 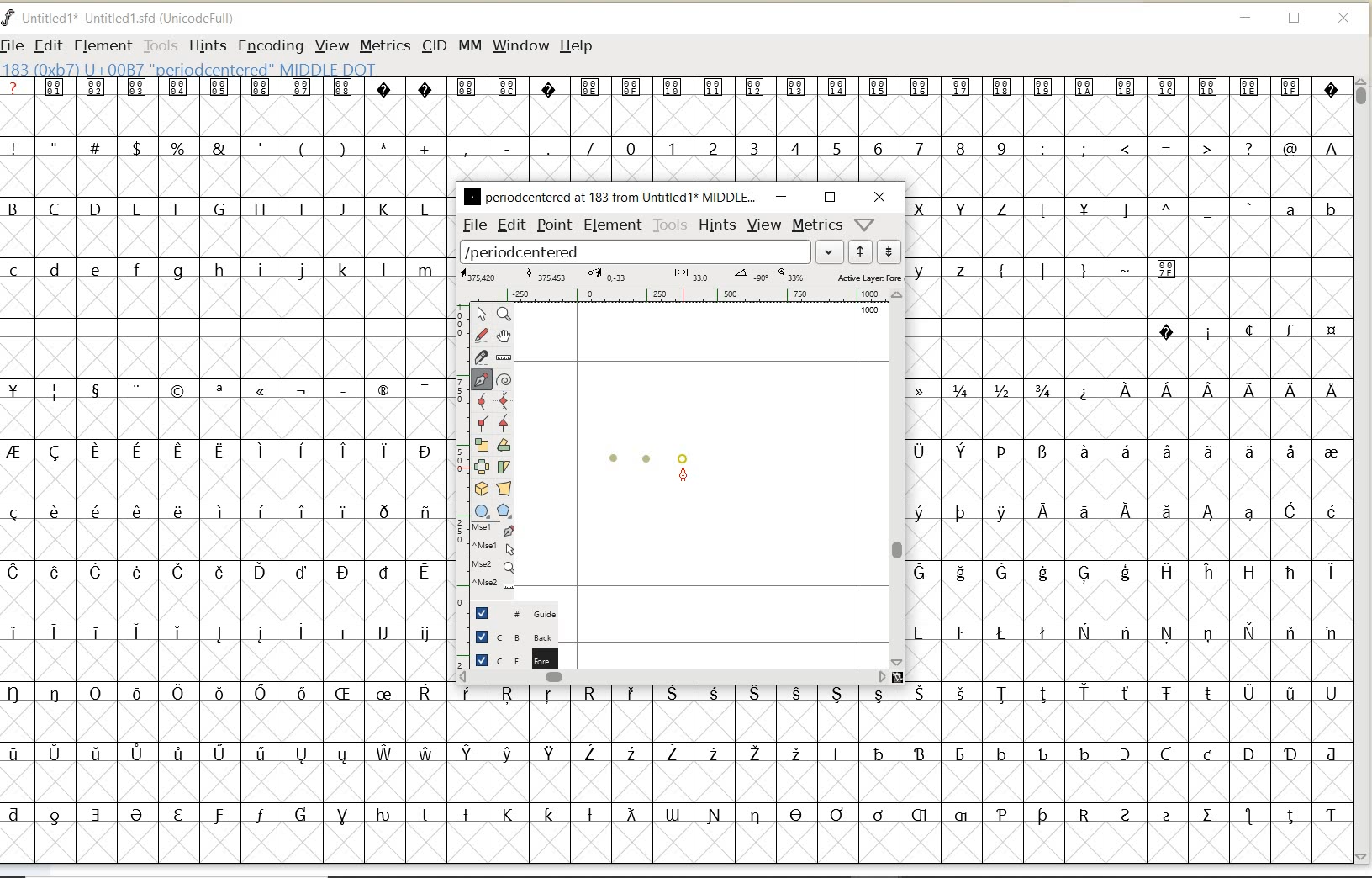 I want to click on dot, so click(x=614, y=456).